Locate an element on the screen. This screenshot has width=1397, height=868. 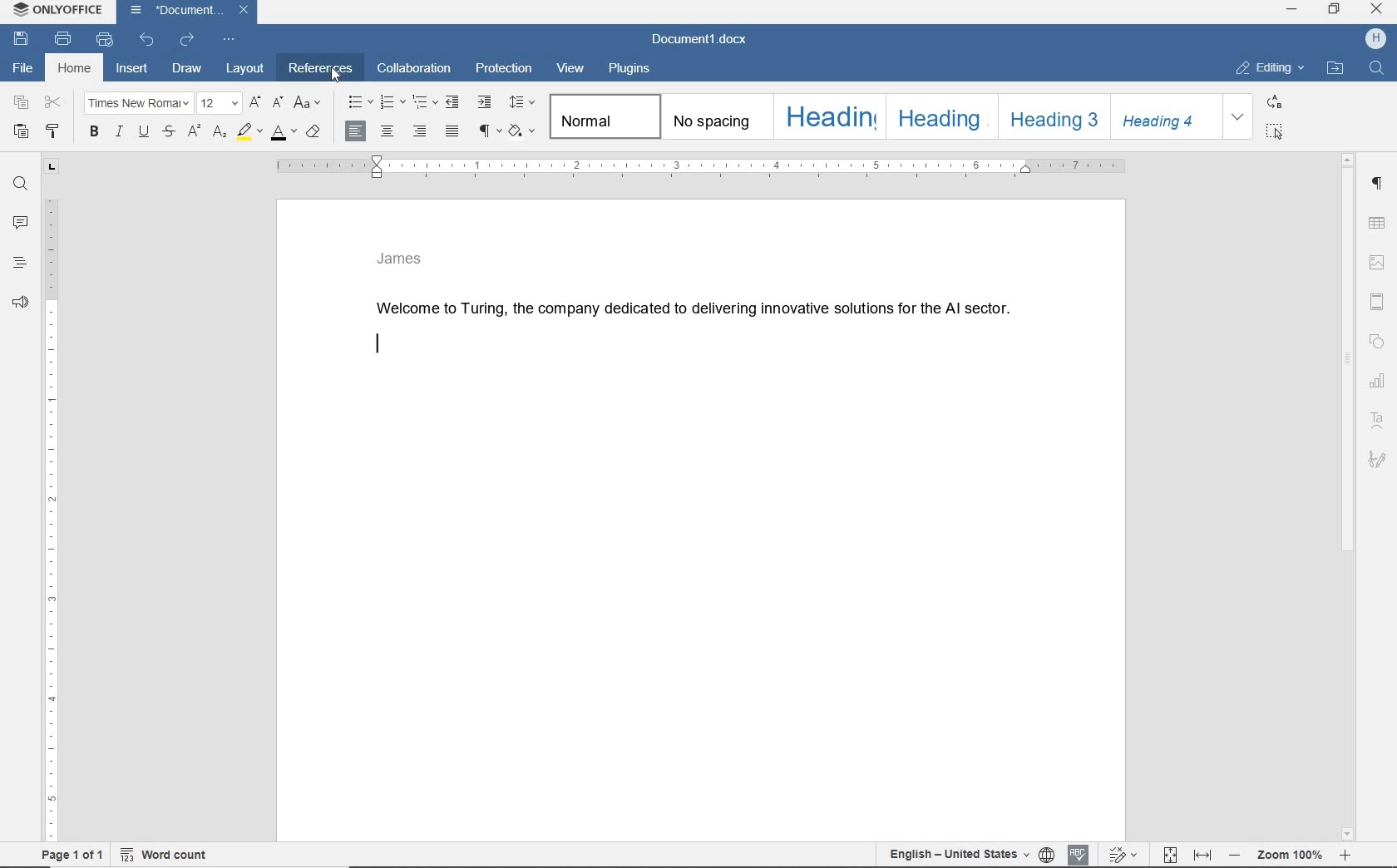
scrollbar is located at coordinates (1348, 495).